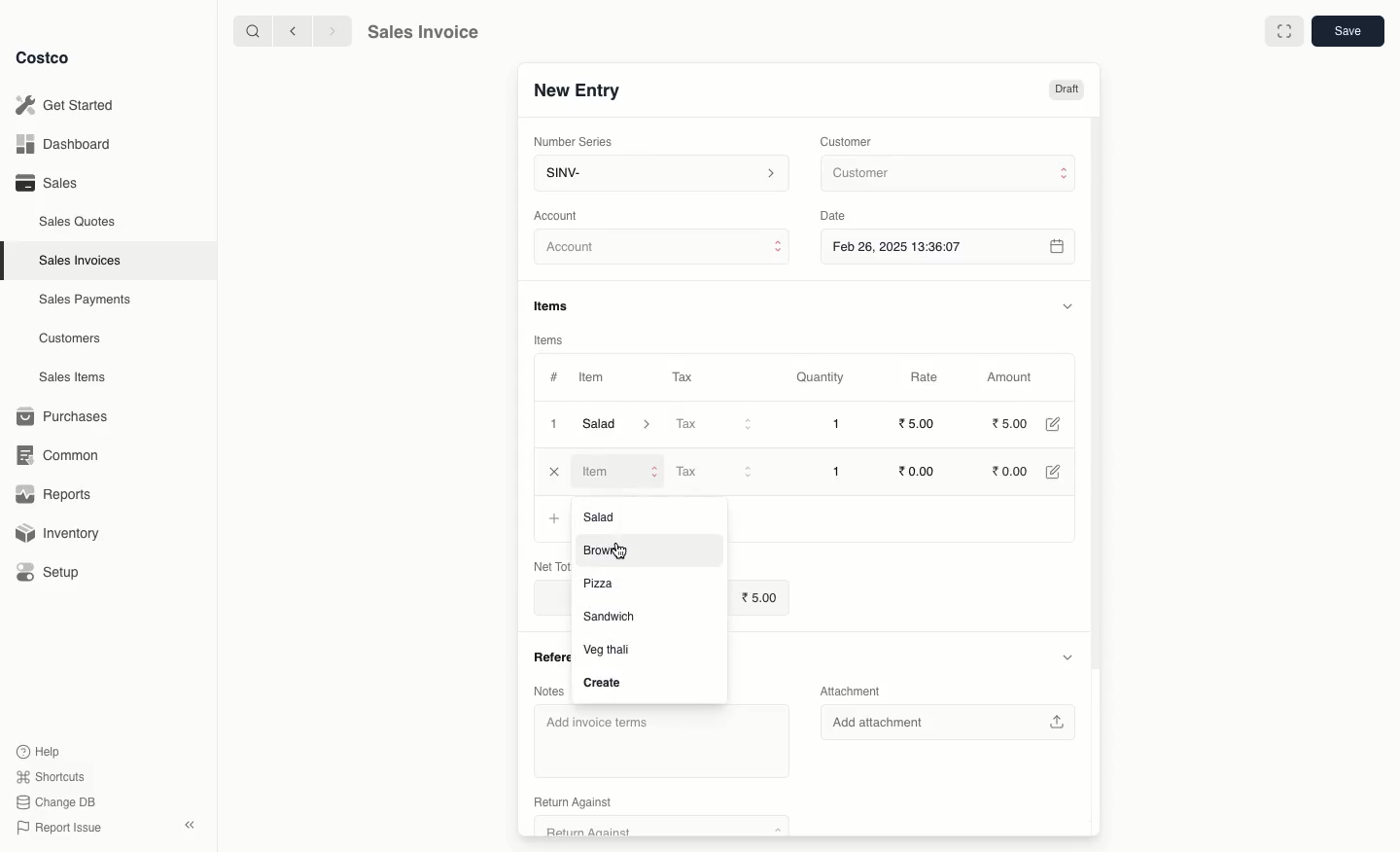 The height and width of the screenshot is (852, 1400). I want to click on Dashboard, so click(60, 145).